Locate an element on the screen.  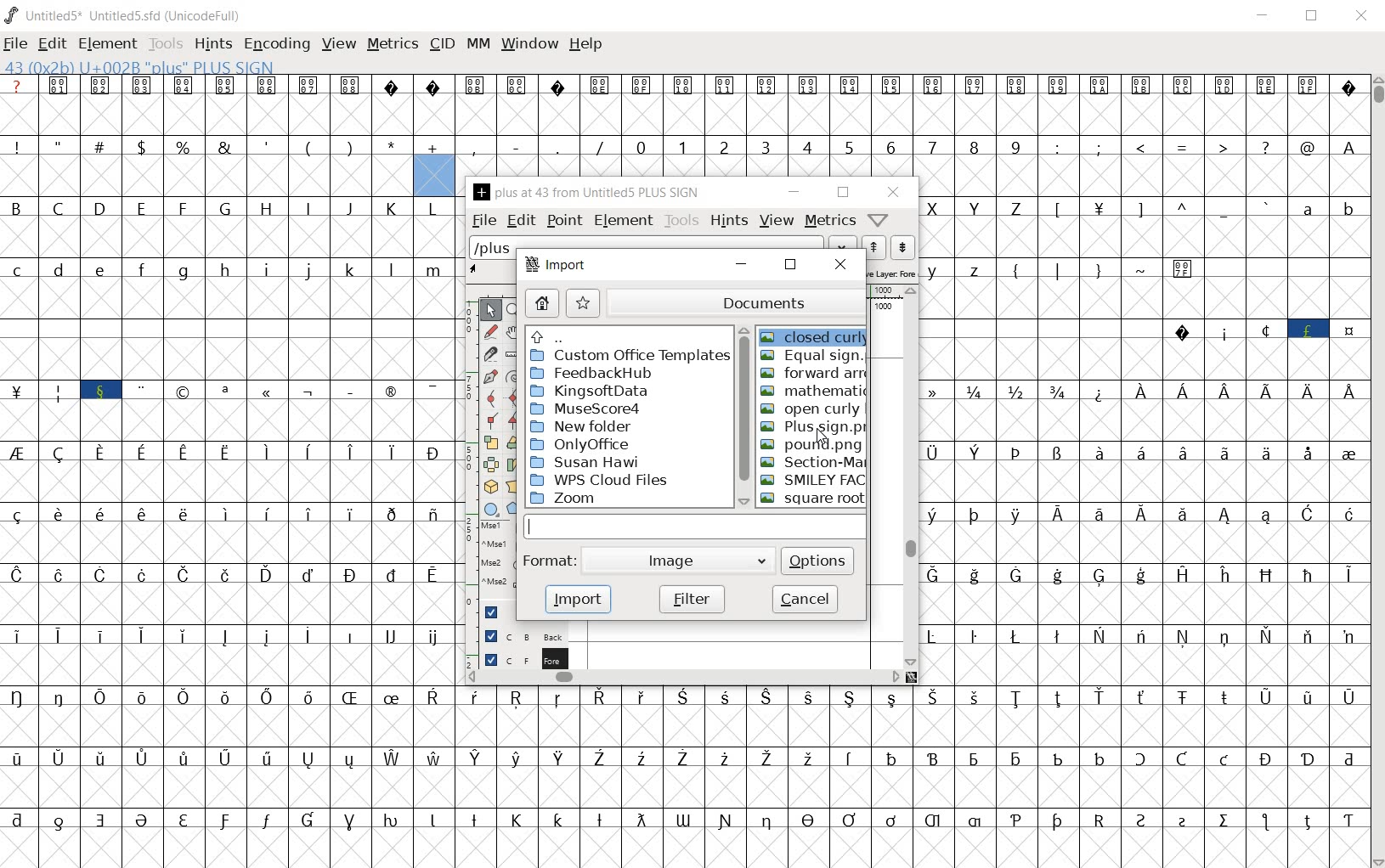
special characters is located at coordinates (541, 159).